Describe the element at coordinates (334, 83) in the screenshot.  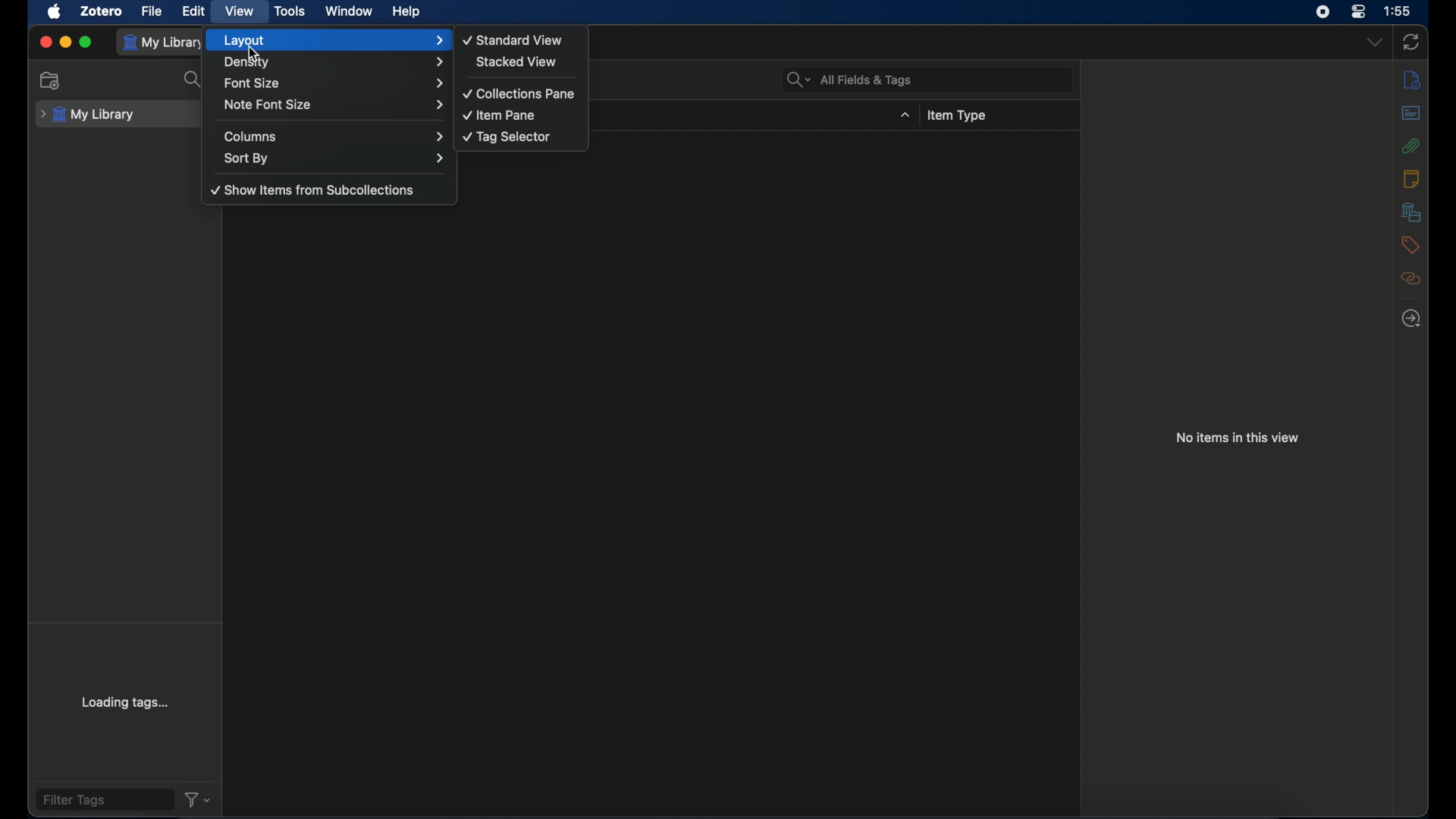
I see `font size` at that location.